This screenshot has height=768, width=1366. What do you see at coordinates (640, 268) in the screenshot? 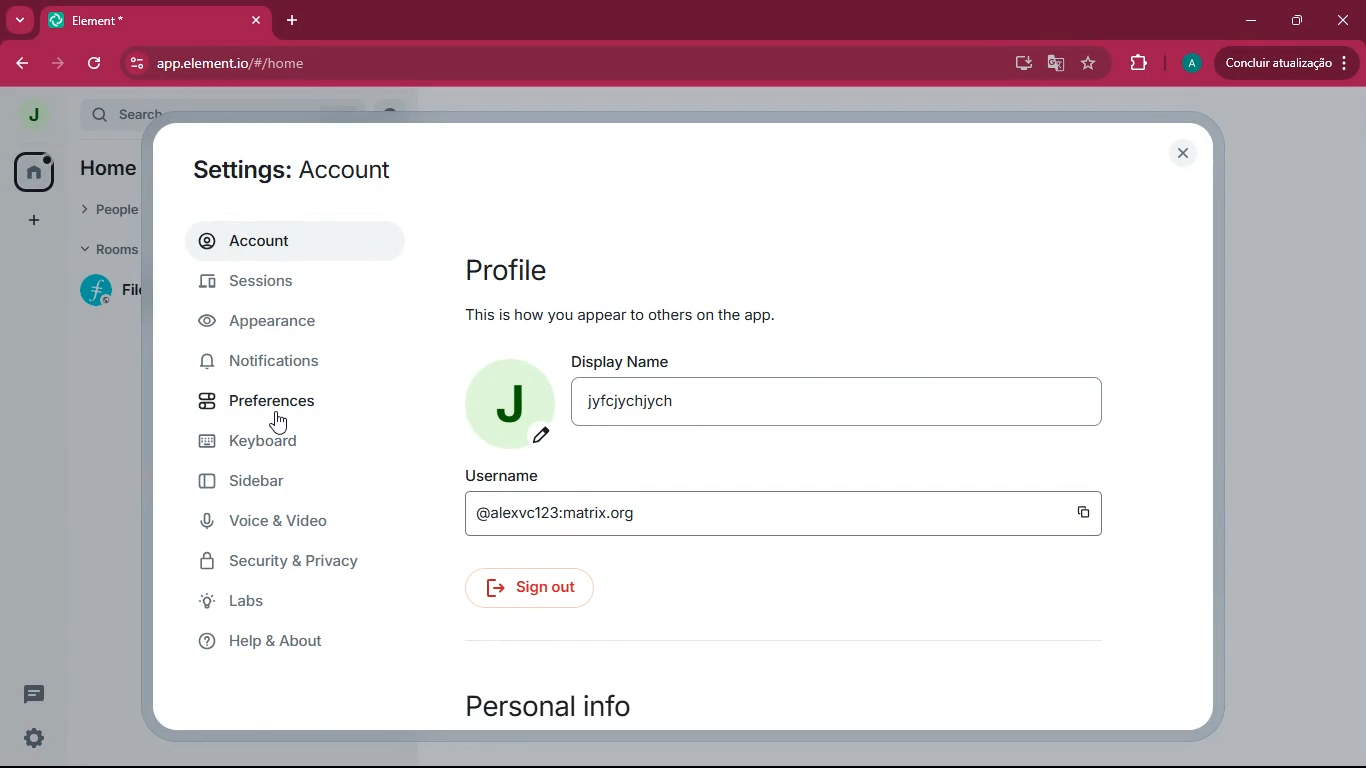
I see `profile` at bounding box center [640, 268].